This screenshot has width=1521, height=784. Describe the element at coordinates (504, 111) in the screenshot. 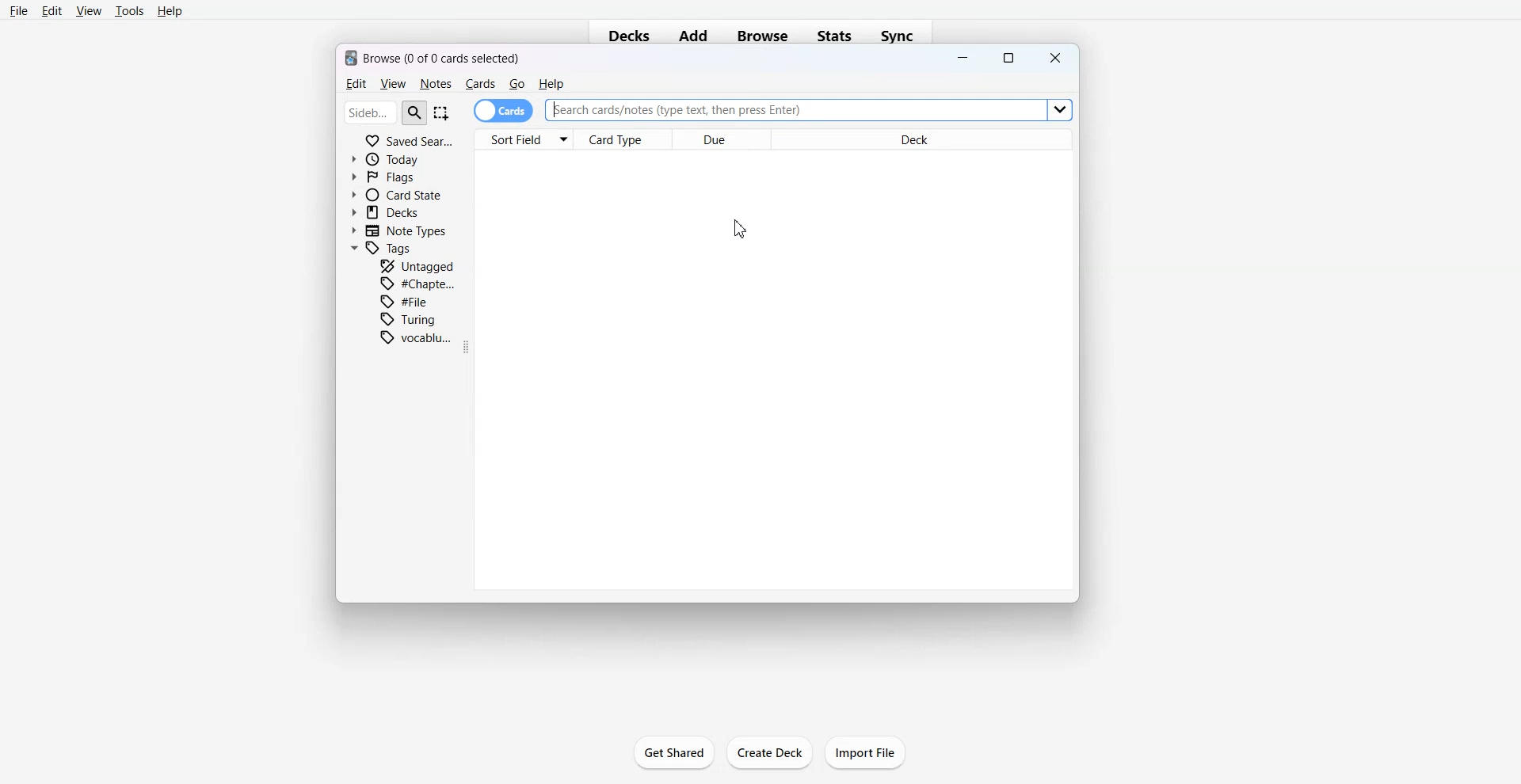

I see `Cards` at that location.